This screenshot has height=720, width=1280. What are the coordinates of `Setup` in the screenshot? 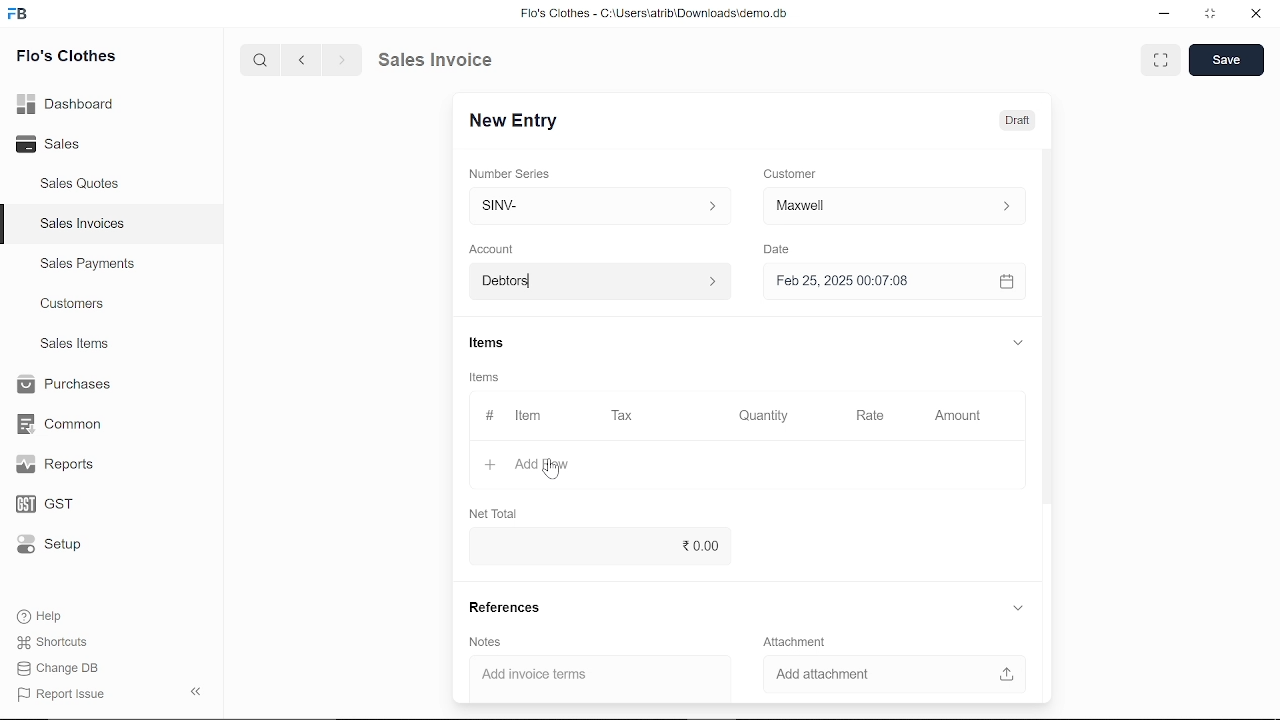 It's located at (54, 544).